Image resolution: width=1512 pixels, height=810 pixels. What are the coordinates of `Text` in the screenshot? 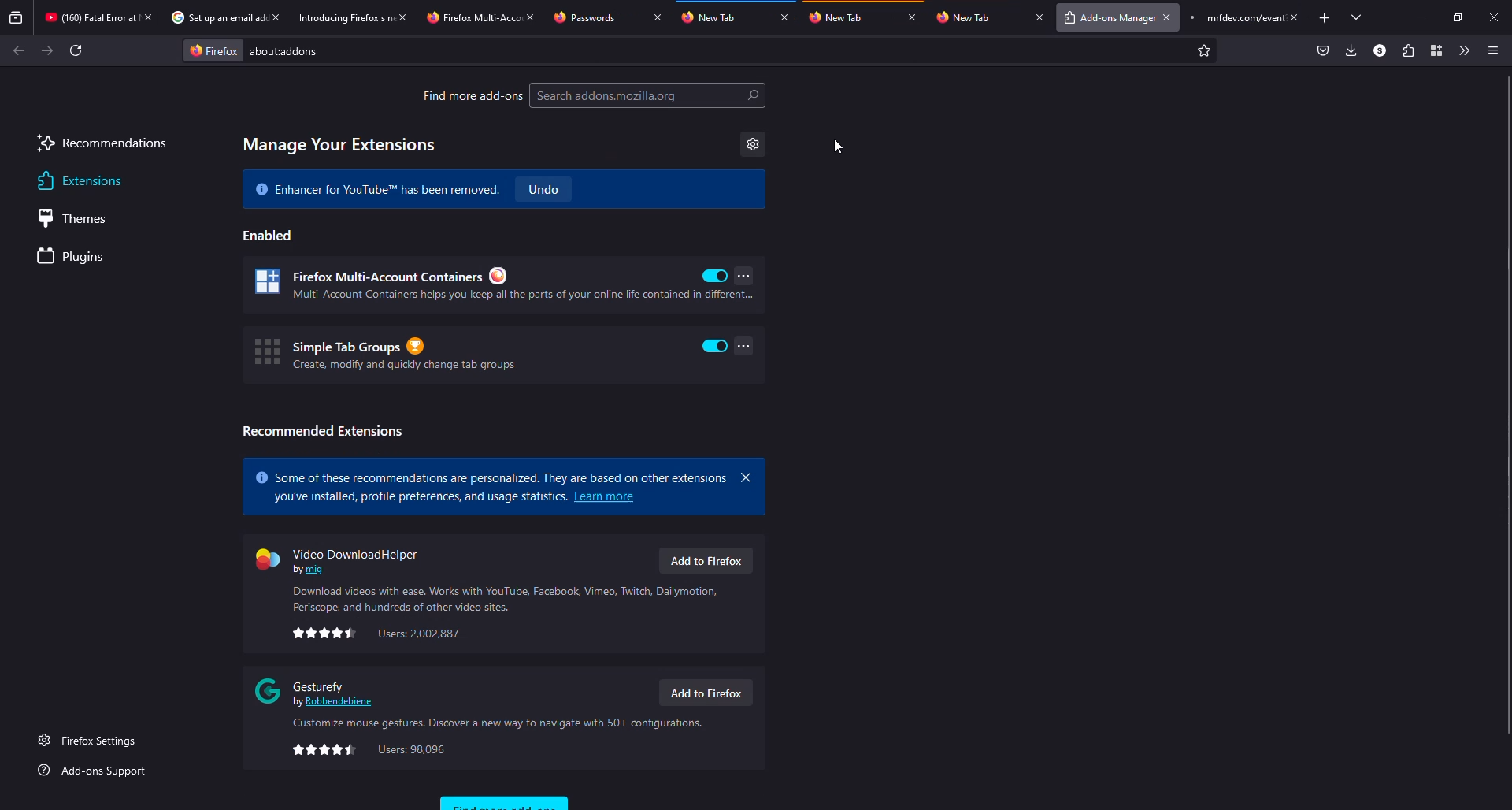 It's located at (421, 497).